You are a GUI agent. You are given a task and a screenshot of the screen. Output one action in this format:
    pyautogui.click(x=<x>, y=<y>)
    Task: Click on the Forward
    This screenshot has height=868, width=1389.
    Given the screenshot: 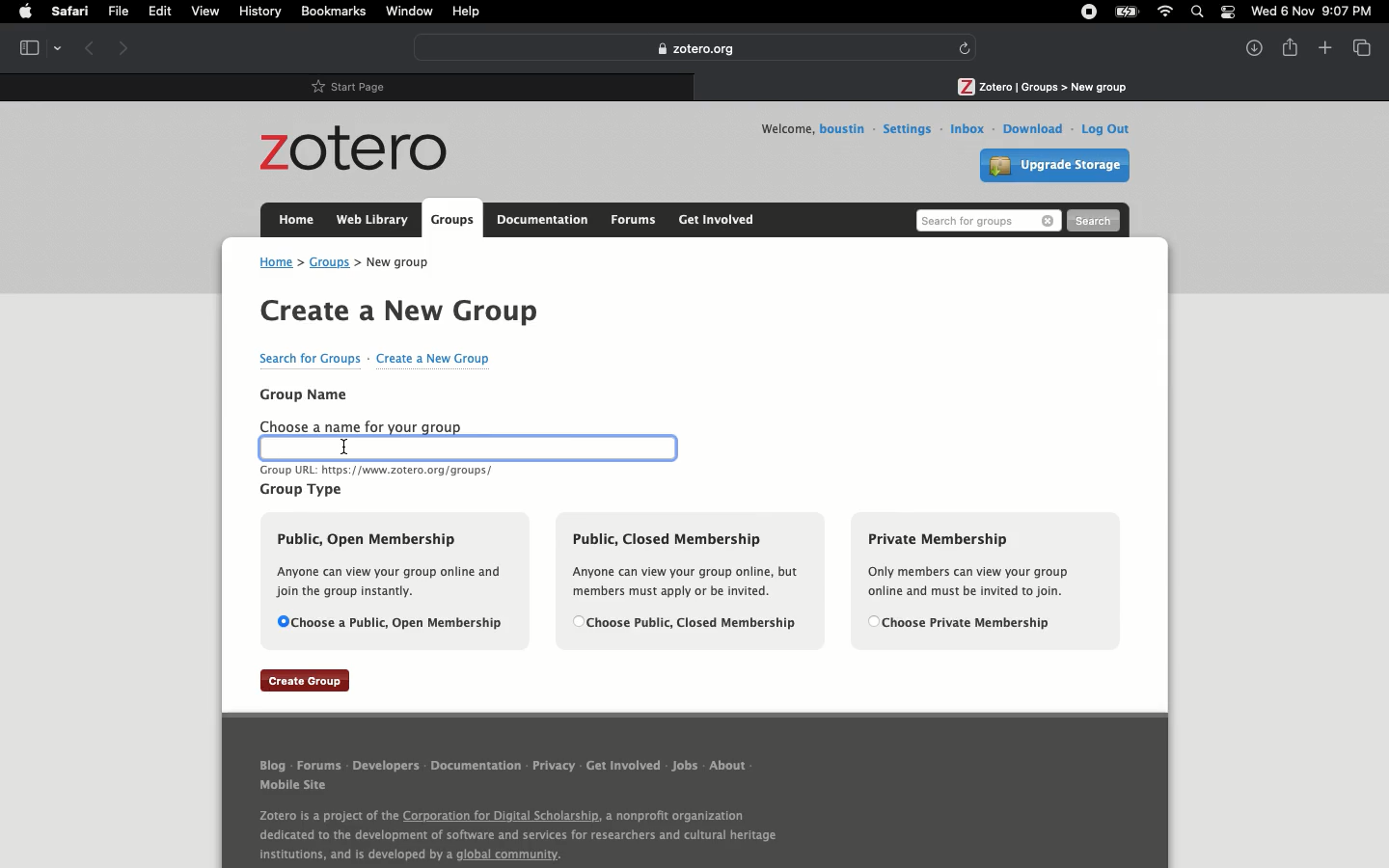 What is the action you would take?
    pyautogui.click(x=123, y=46)
    